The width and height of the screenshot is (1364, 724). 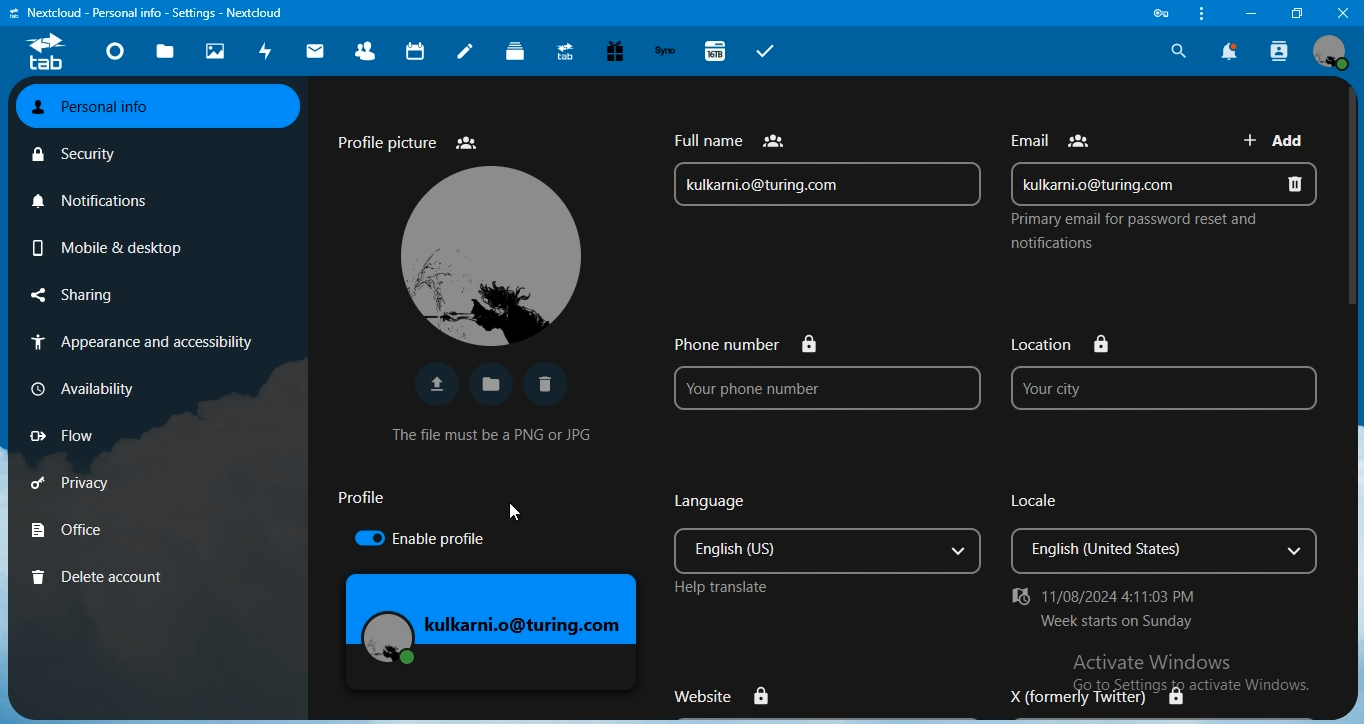 I want to click on sharing, so click(x=73, y=295).